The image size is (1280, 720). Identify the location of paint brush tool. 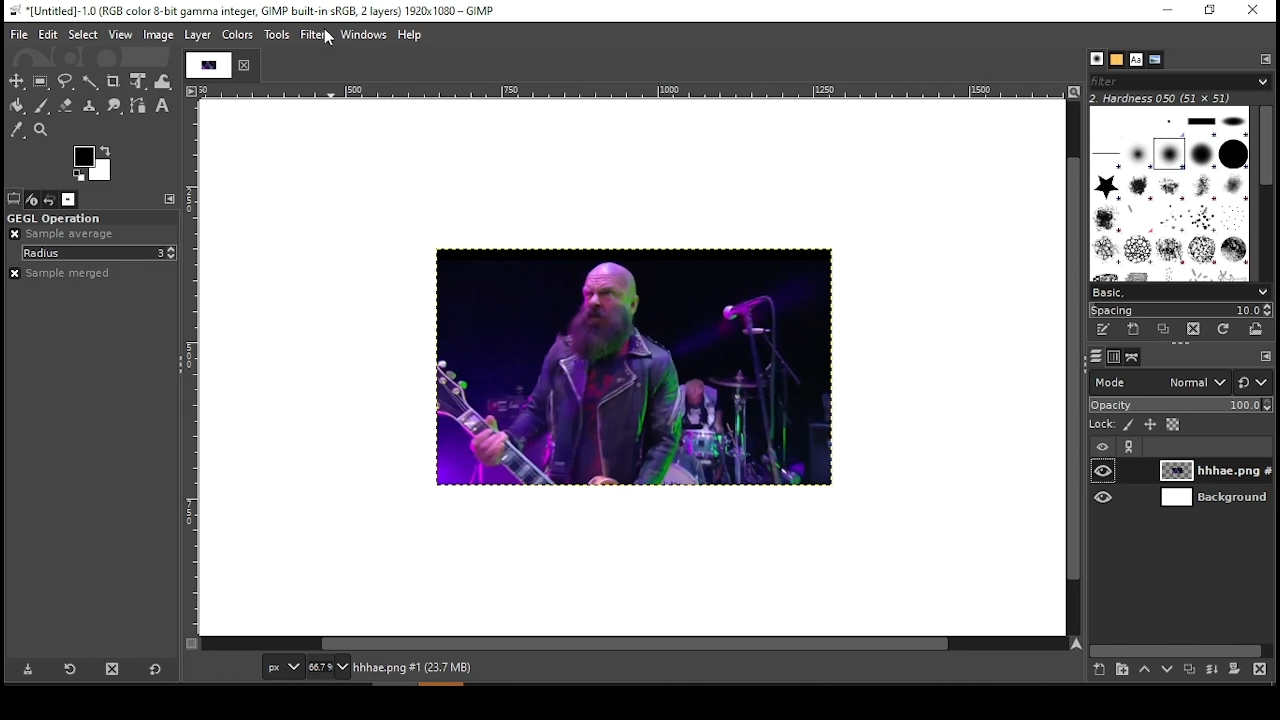
(40, 104).